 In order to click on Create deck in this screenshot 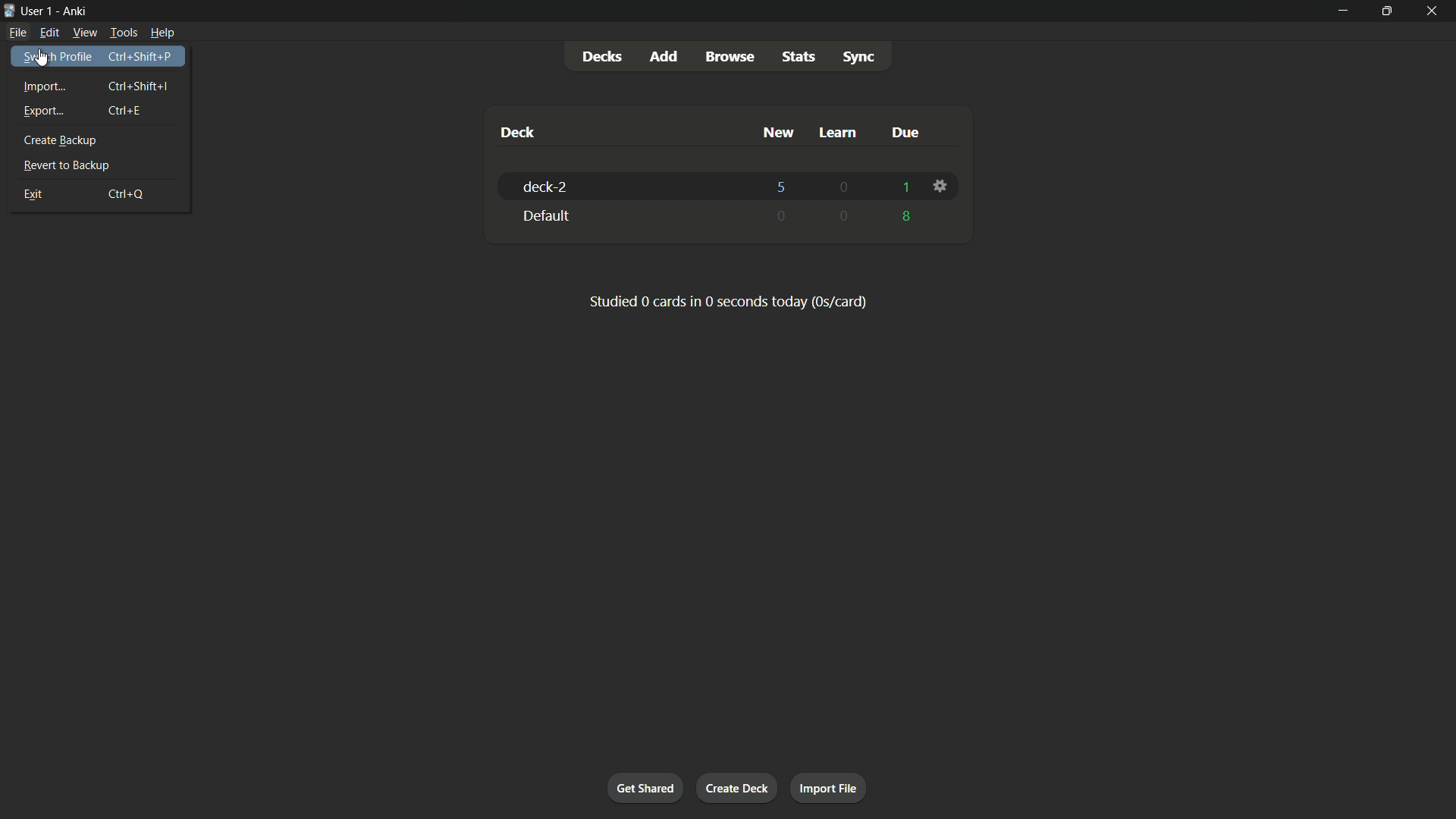, I will do `click(739, 788)`.